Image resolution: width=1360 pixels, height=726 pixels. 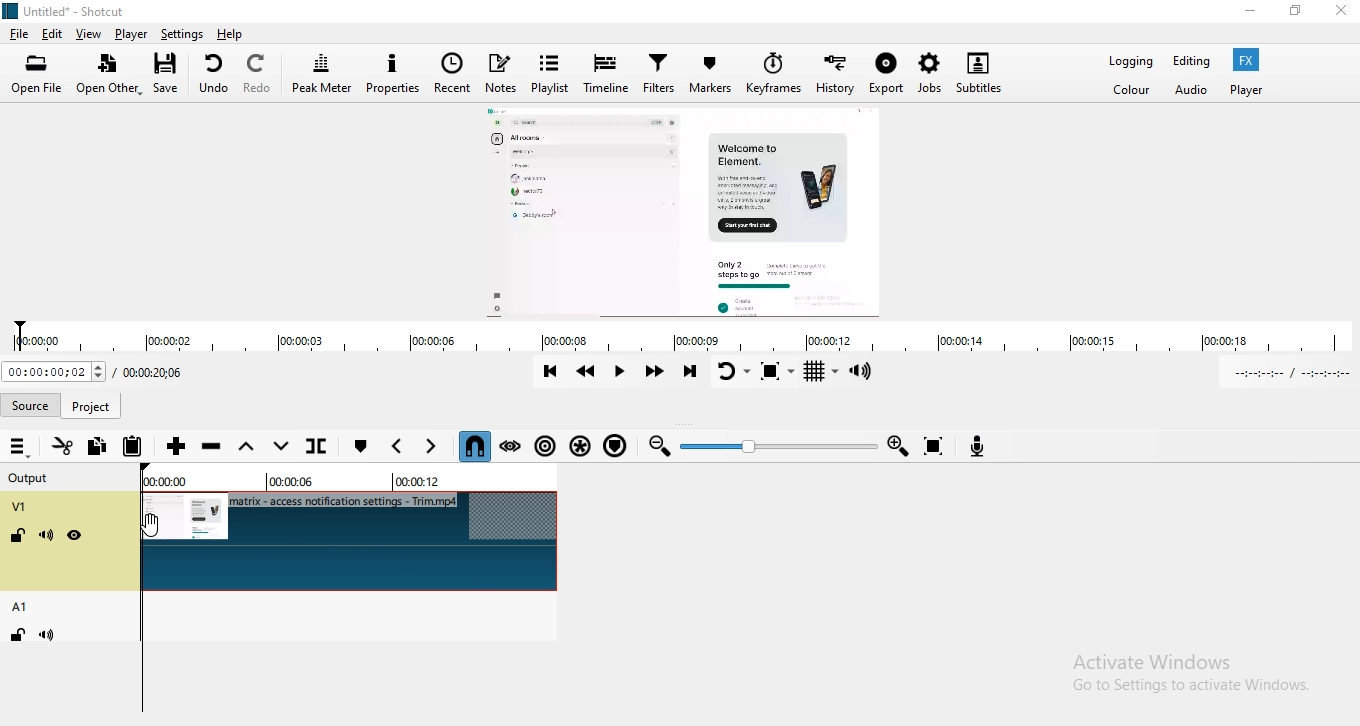 What do you see at coordinates (135, 447) in the screenshot?
I see `Paste ` at bounding box center [135, 447].